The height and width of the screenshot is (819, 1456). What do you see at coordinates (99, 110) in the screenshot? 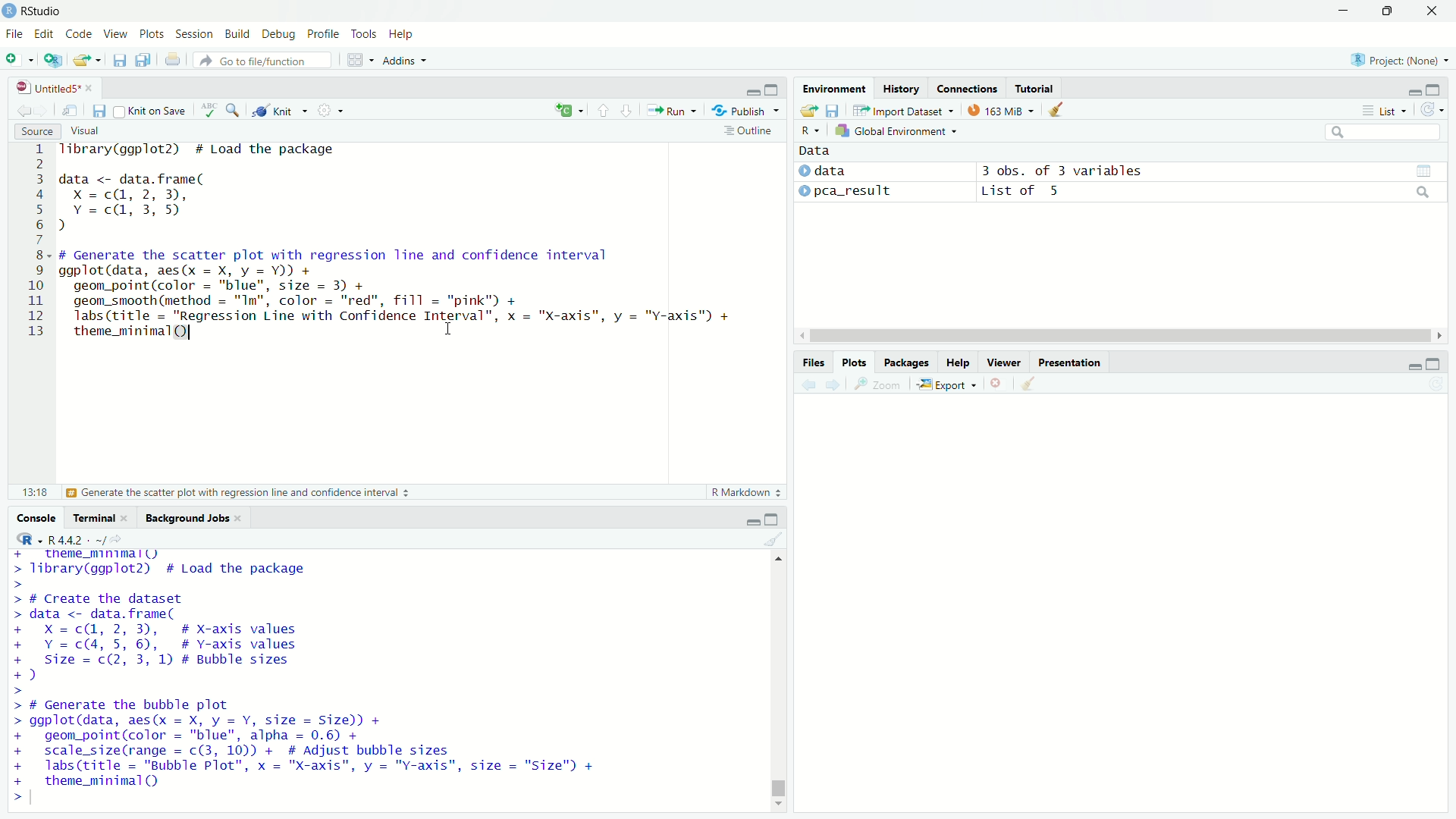
I see `Save current document` at bounding box center [99, 110].